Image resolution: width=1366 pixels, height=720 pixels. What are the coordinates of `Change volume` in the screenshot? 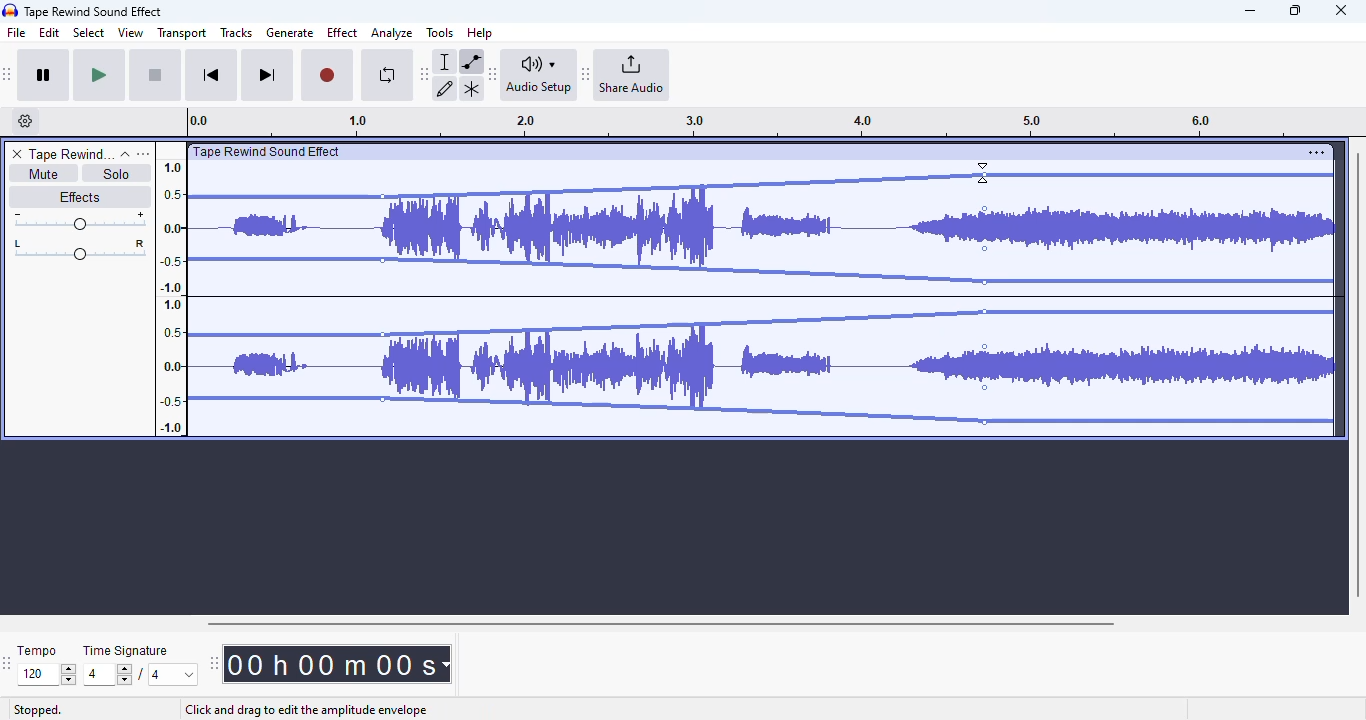 It's located at (79, 221).